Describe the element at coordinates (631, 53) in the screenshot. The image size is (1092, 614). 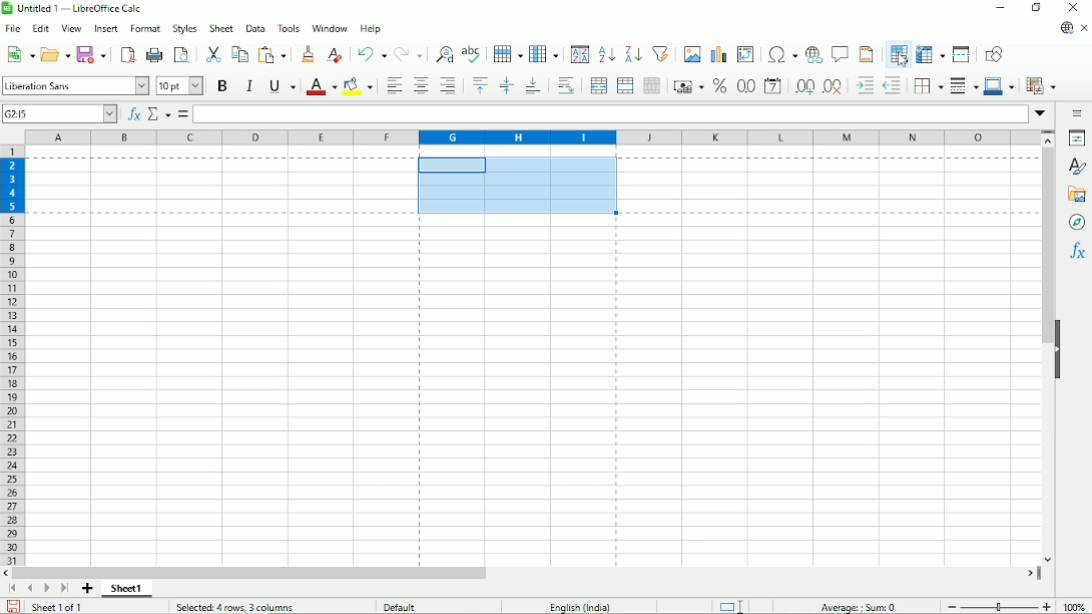
I see `Sort descending` at that location.